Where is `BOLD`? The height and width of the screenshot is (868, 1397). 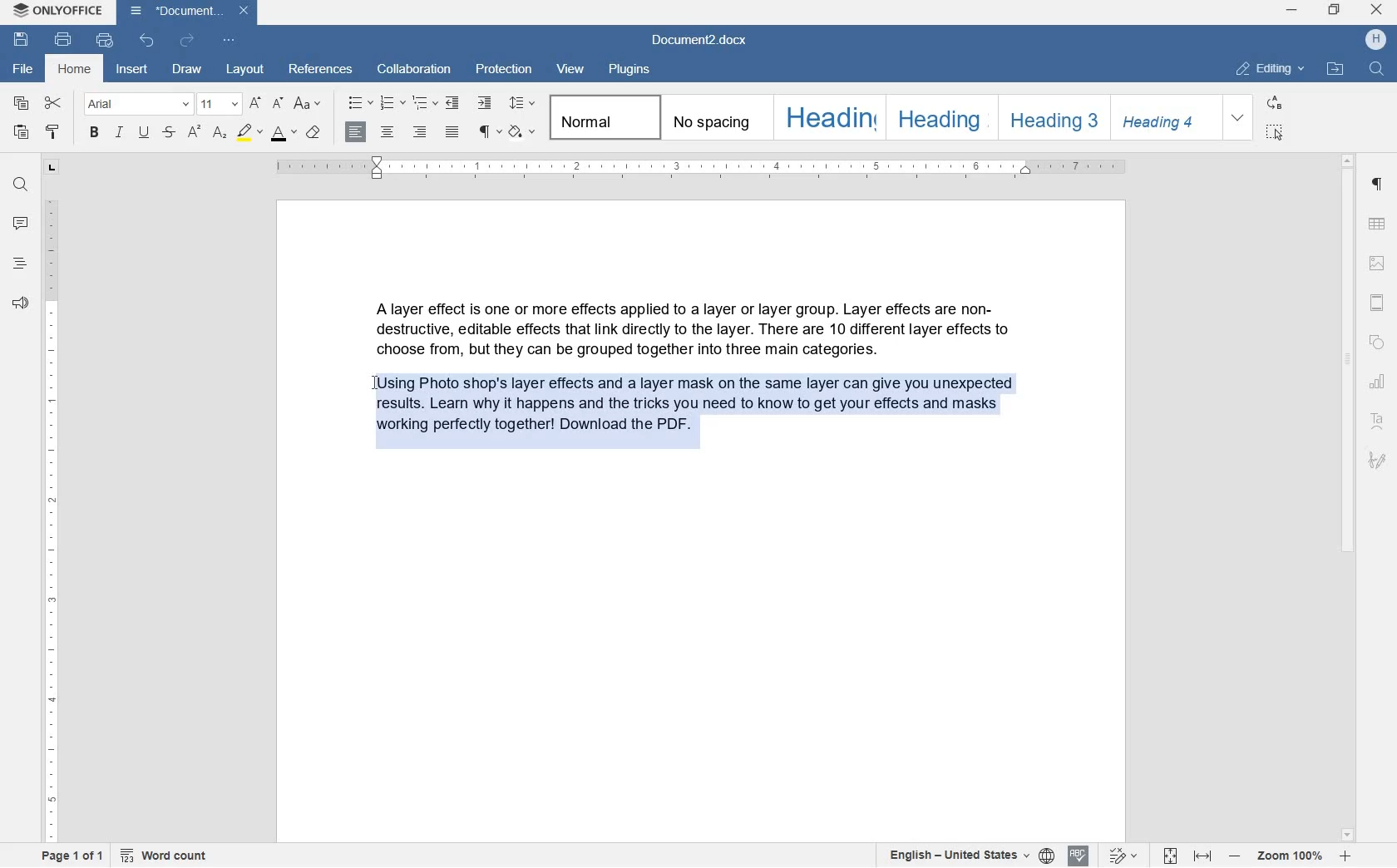
BOLD is located at coordinates (94, 133).